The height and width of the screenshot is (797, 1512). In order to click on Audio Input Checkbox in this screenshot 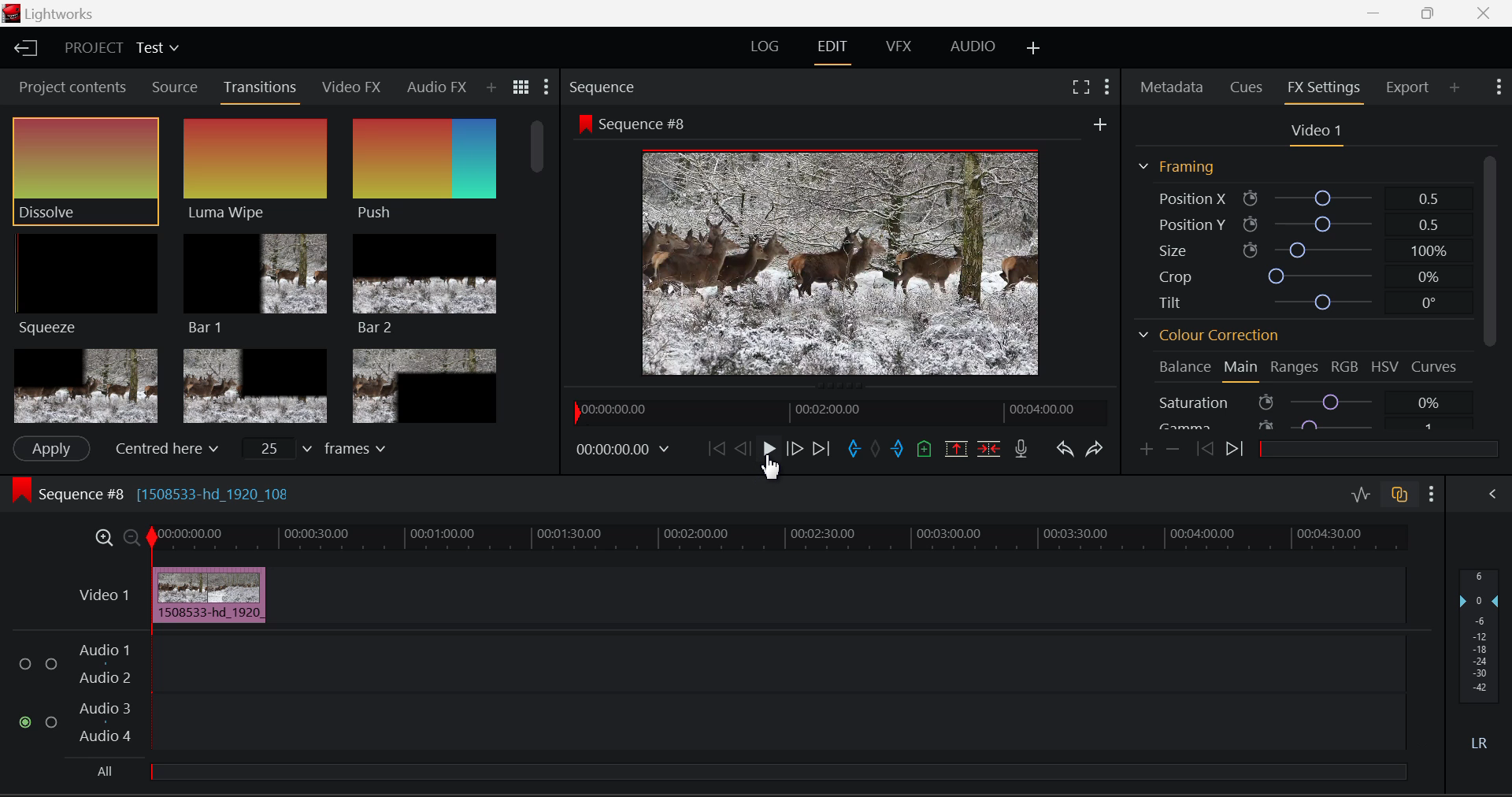, I will do `click(27, 664)`.